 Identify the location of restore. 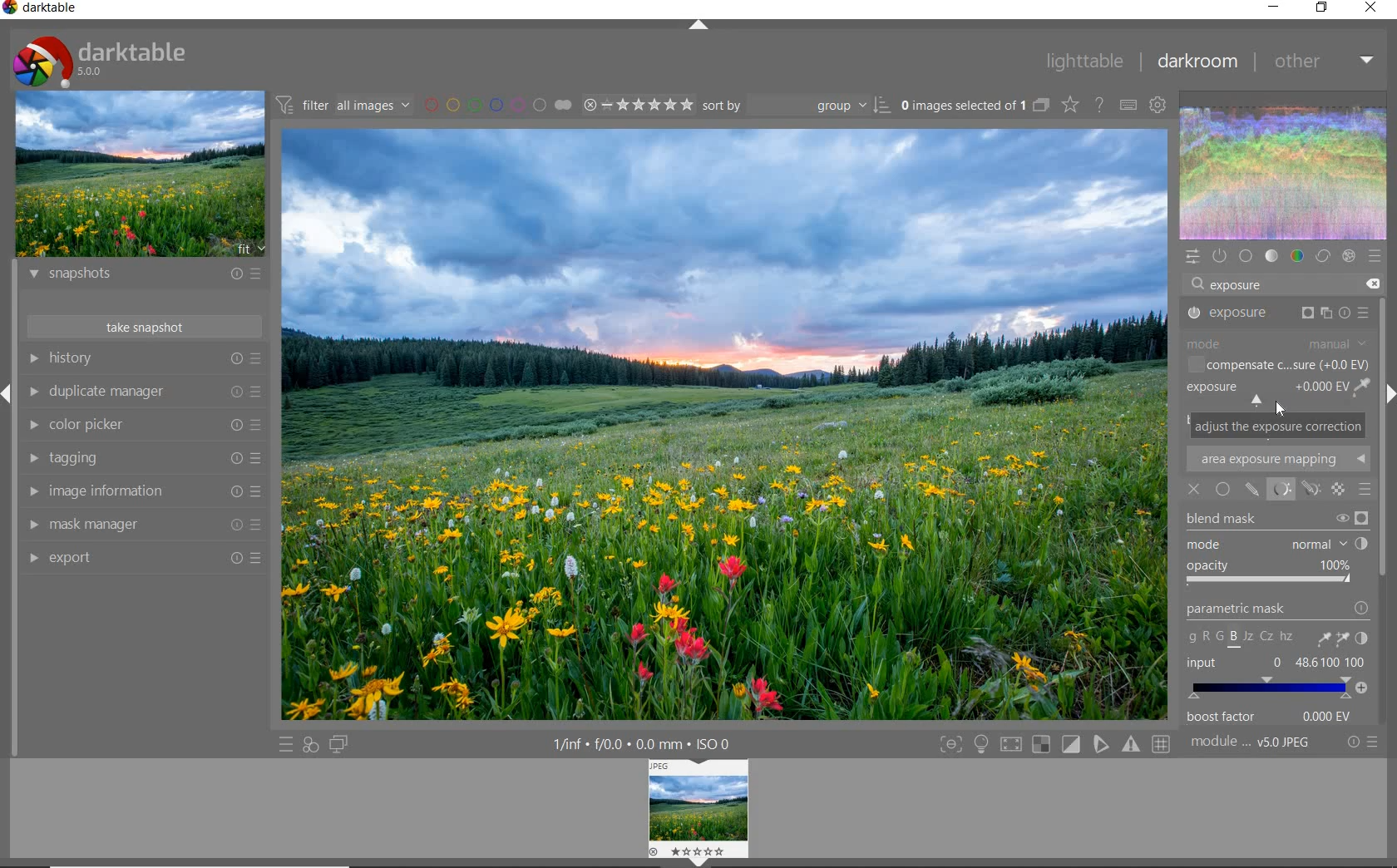
(1324, 8).